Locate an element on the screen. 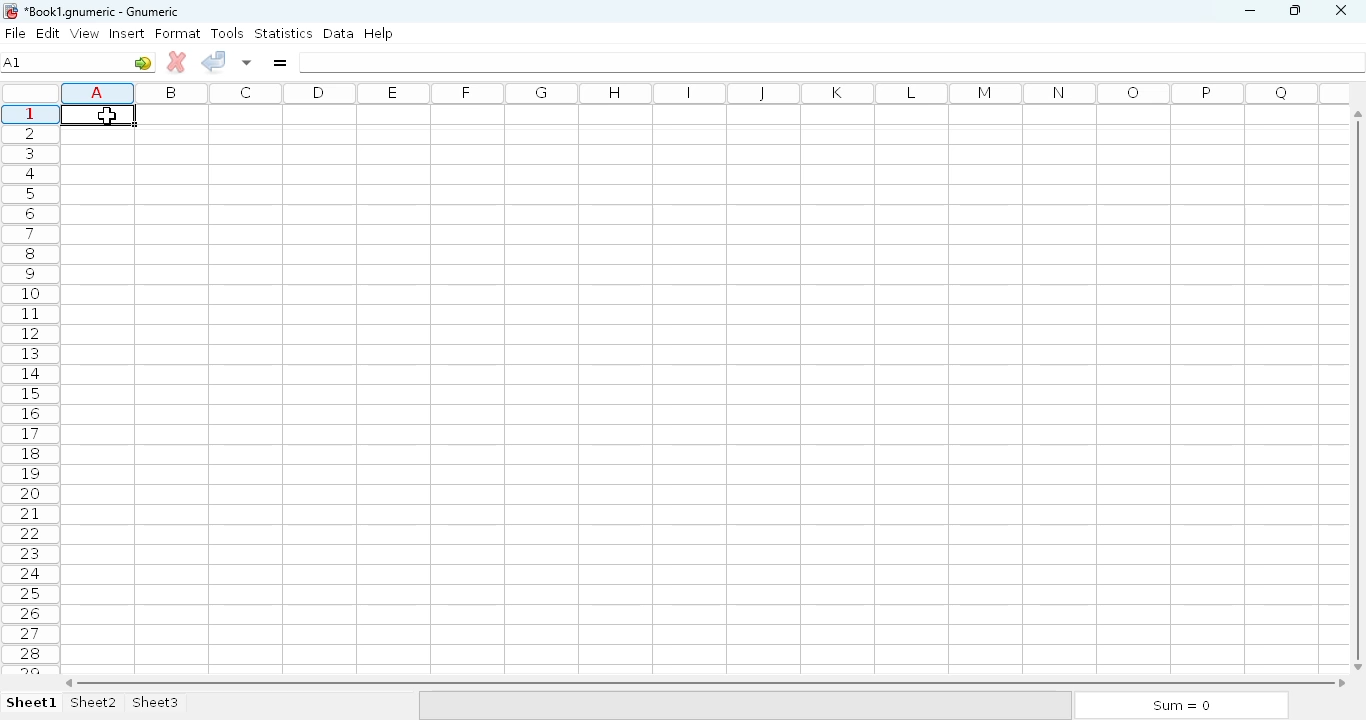 The height and width of the screenshot is (720, 1366). B5 is located at coordinates (13, 62).